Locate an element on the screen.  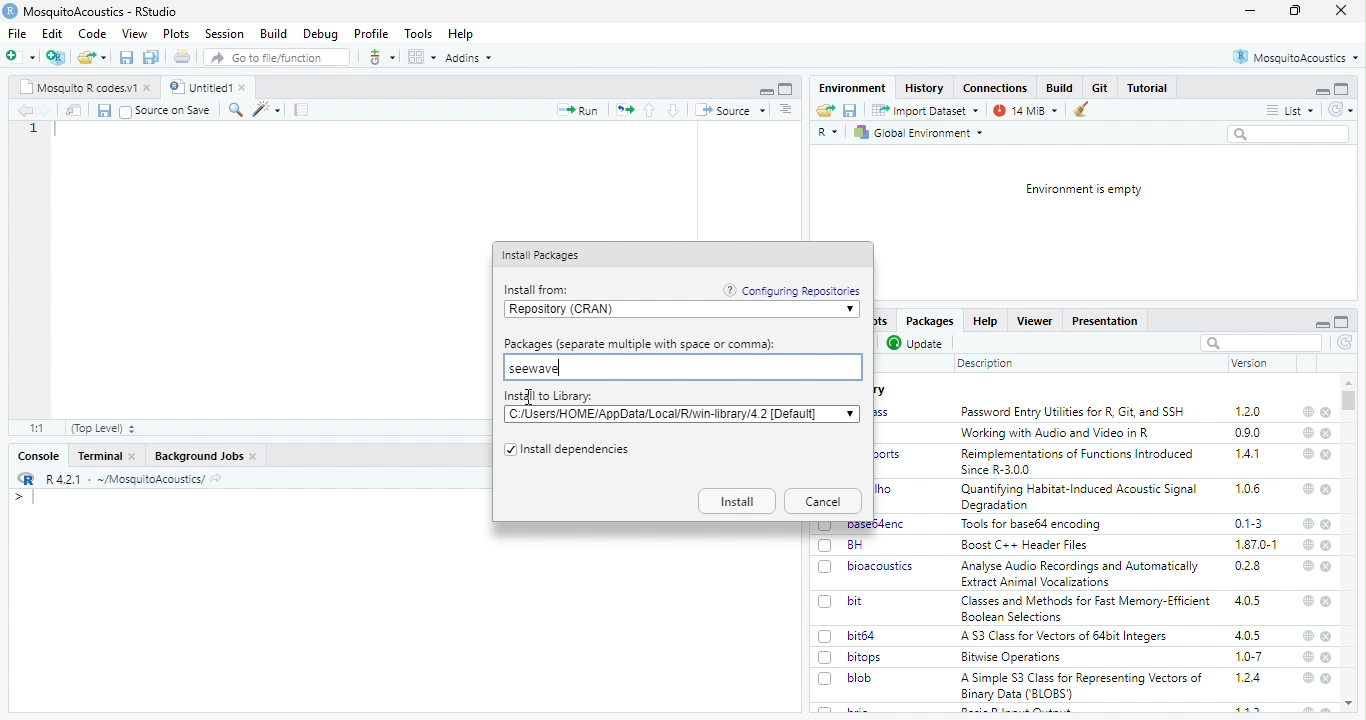
01-3 is located at coordinates (1249, 523).